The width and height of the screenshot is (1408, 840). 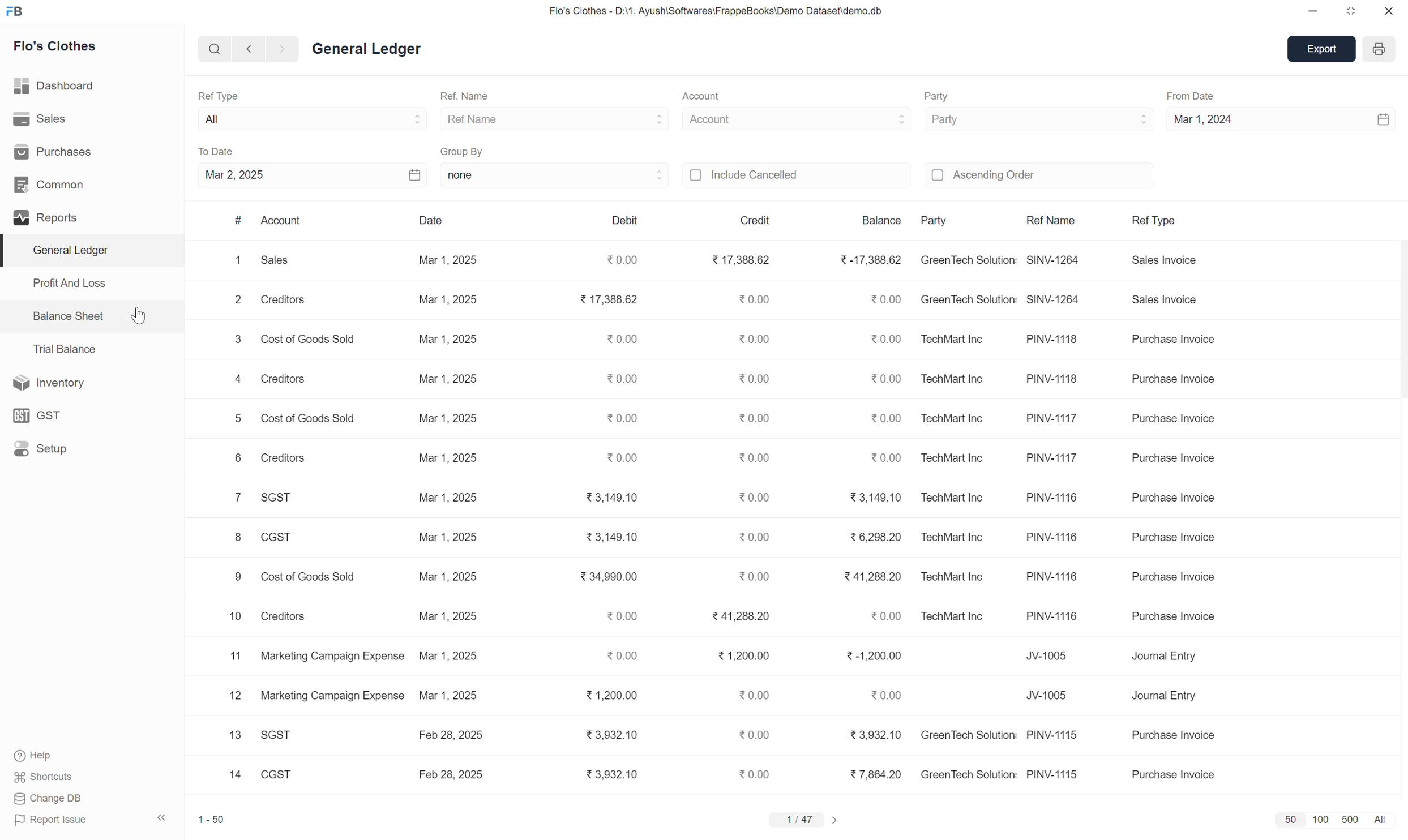 I want to click on TechMart Inc, so click(x=952, y=538).